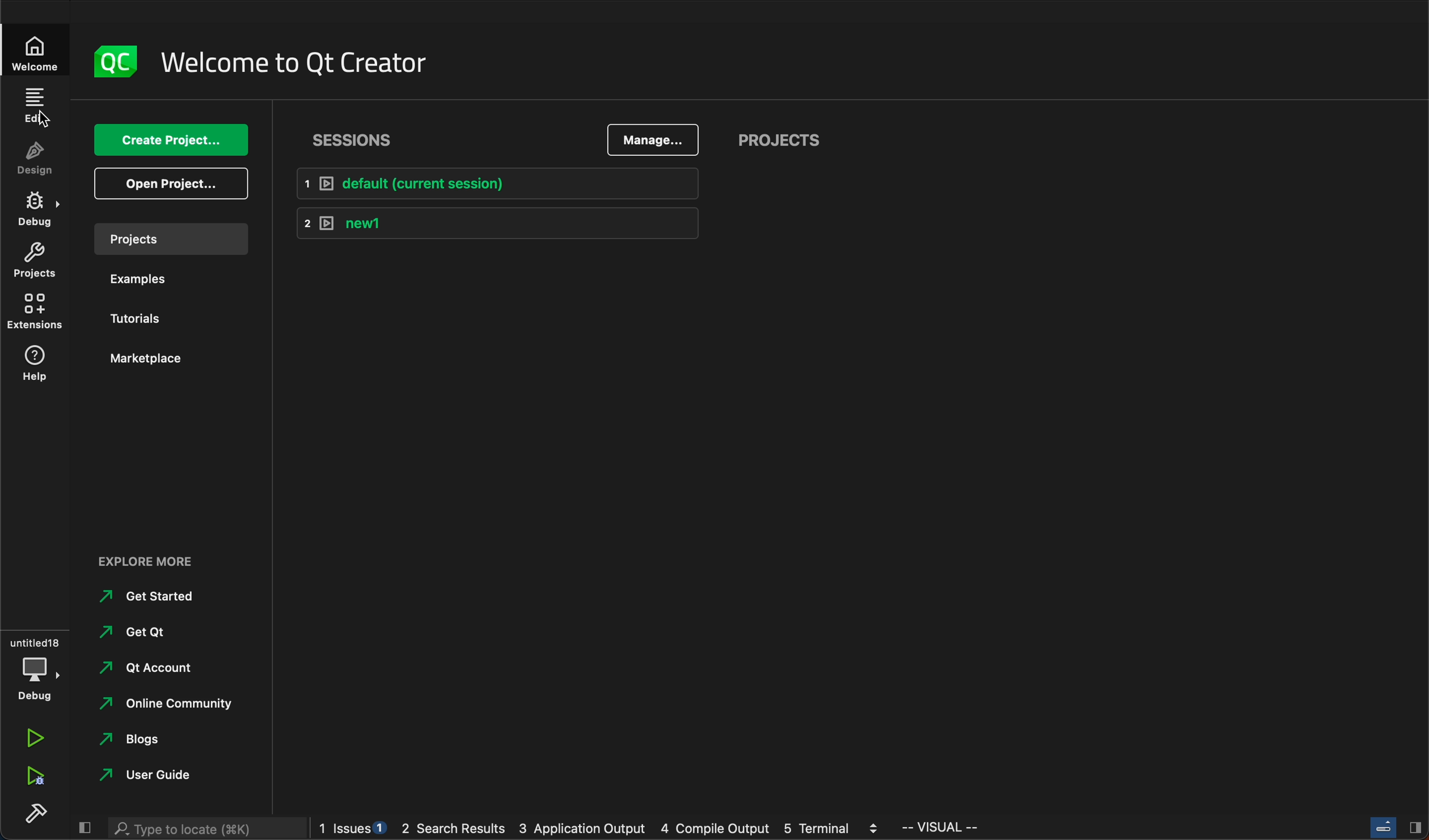  What do you see at coordinates (357, 136) in the screenshot?
I see `sessions` at bounding box center [357, 136].